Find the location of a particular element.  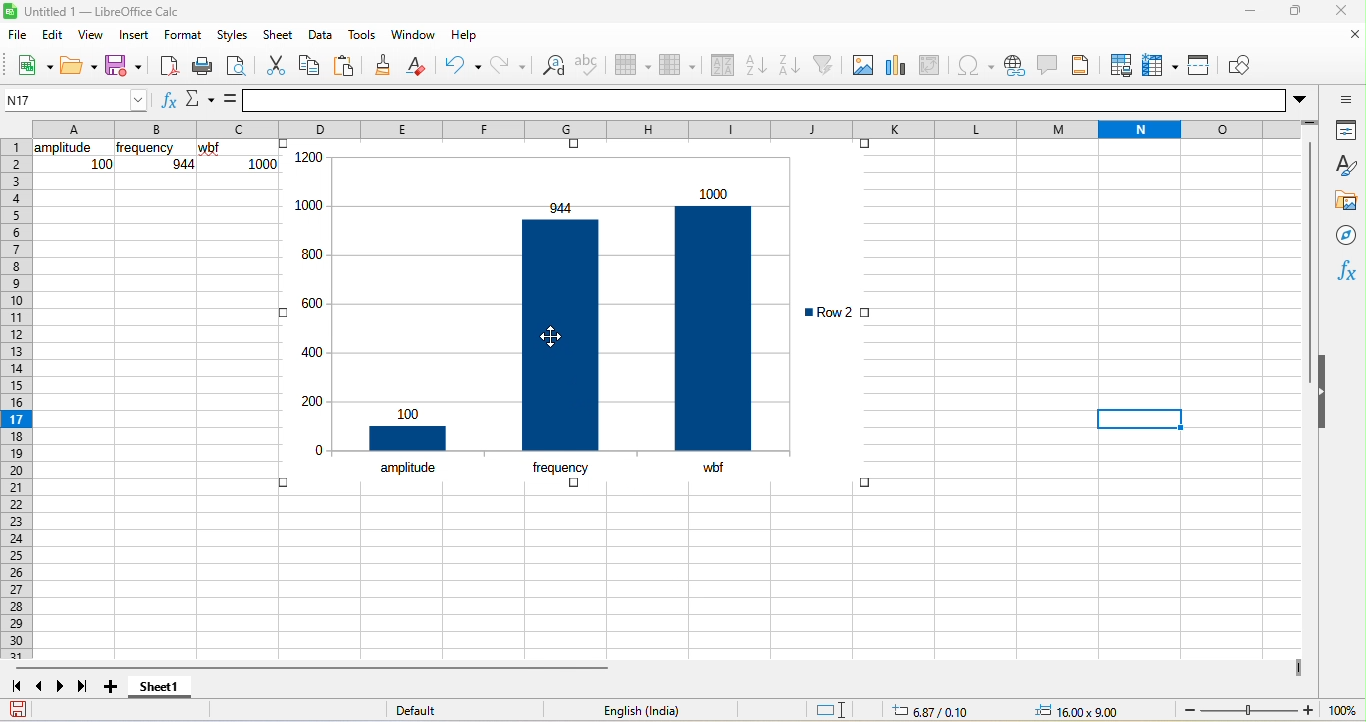

frequency is located at coordinates (560, 466).